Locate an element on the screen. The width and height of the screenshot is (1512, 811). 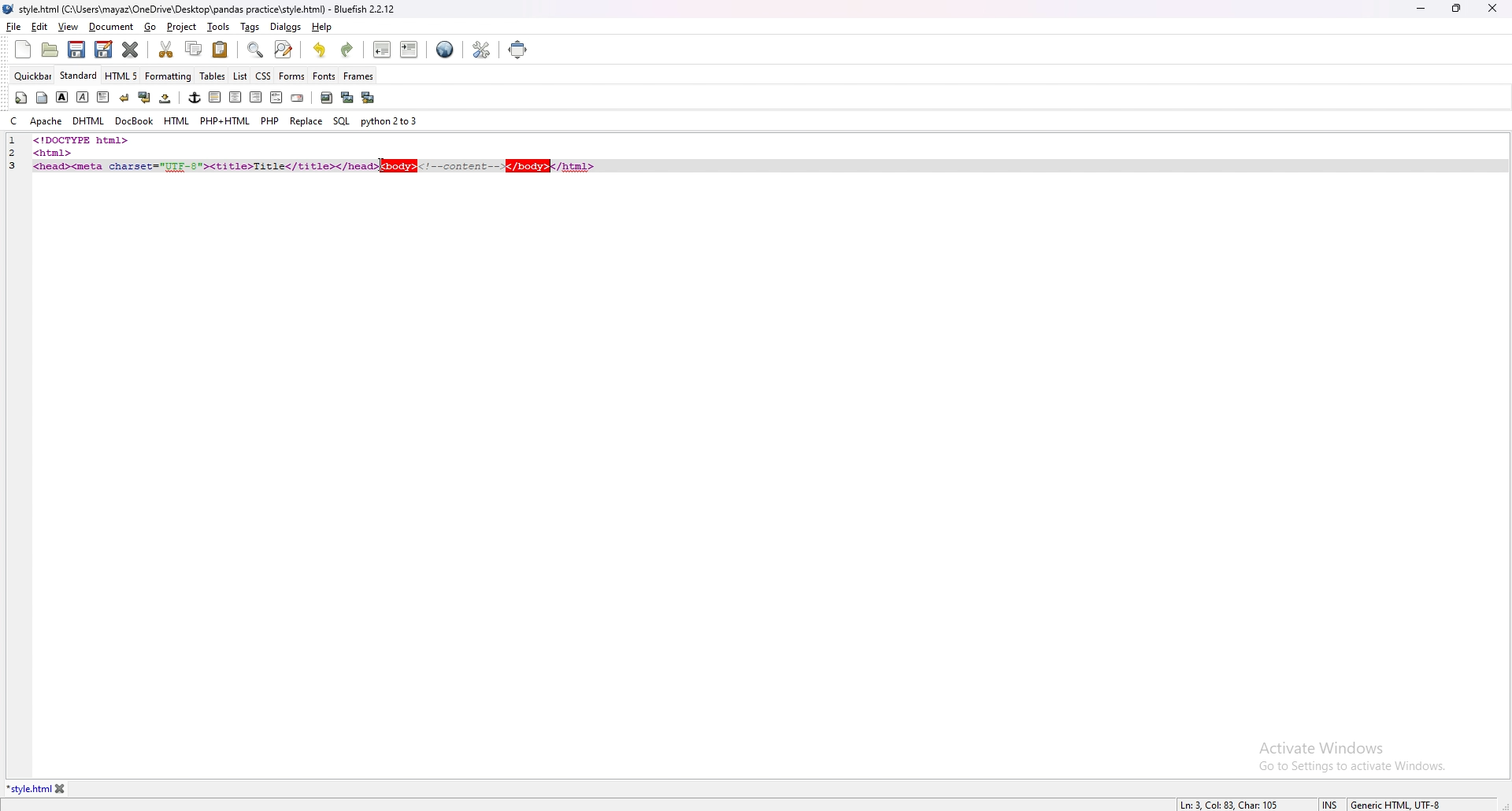
docbook is located at coordinates (134, 121).